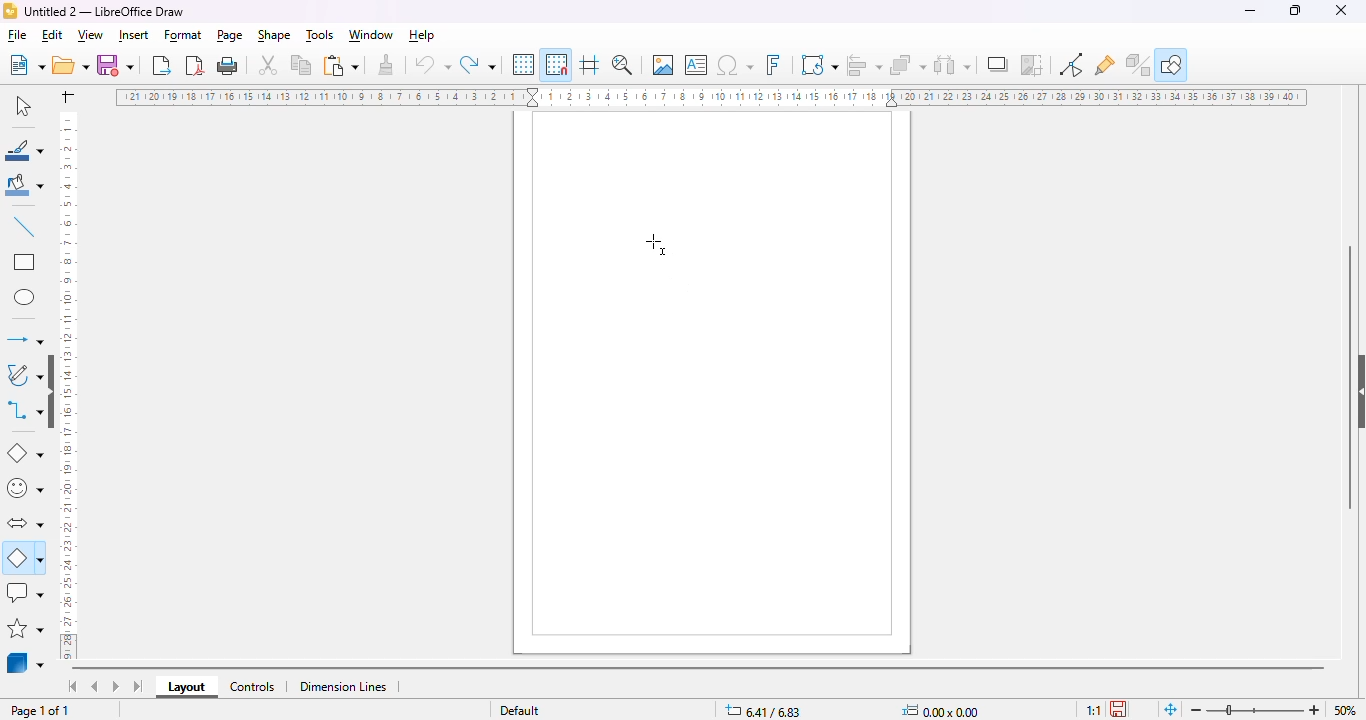 The image size is (1366, 720). I want to click on shadow, so click(998, 65).